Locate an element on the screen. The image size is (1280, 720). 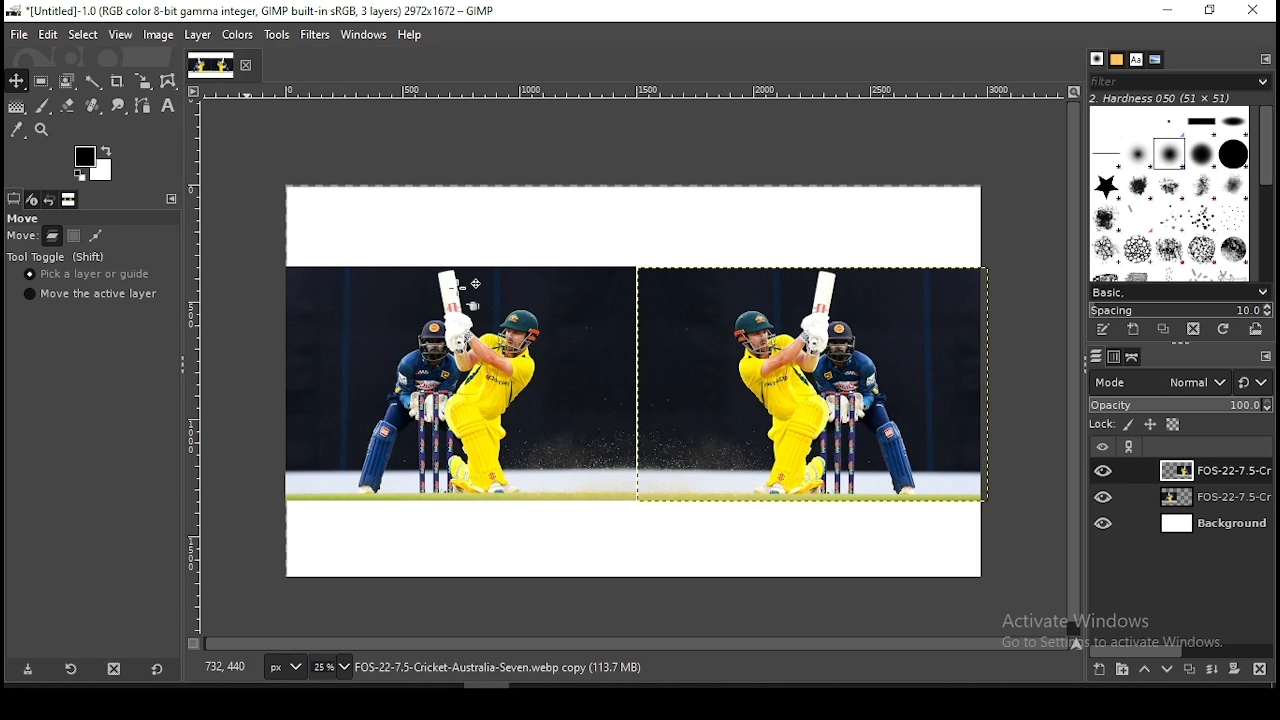
tool is located at coordinates (169, 198).